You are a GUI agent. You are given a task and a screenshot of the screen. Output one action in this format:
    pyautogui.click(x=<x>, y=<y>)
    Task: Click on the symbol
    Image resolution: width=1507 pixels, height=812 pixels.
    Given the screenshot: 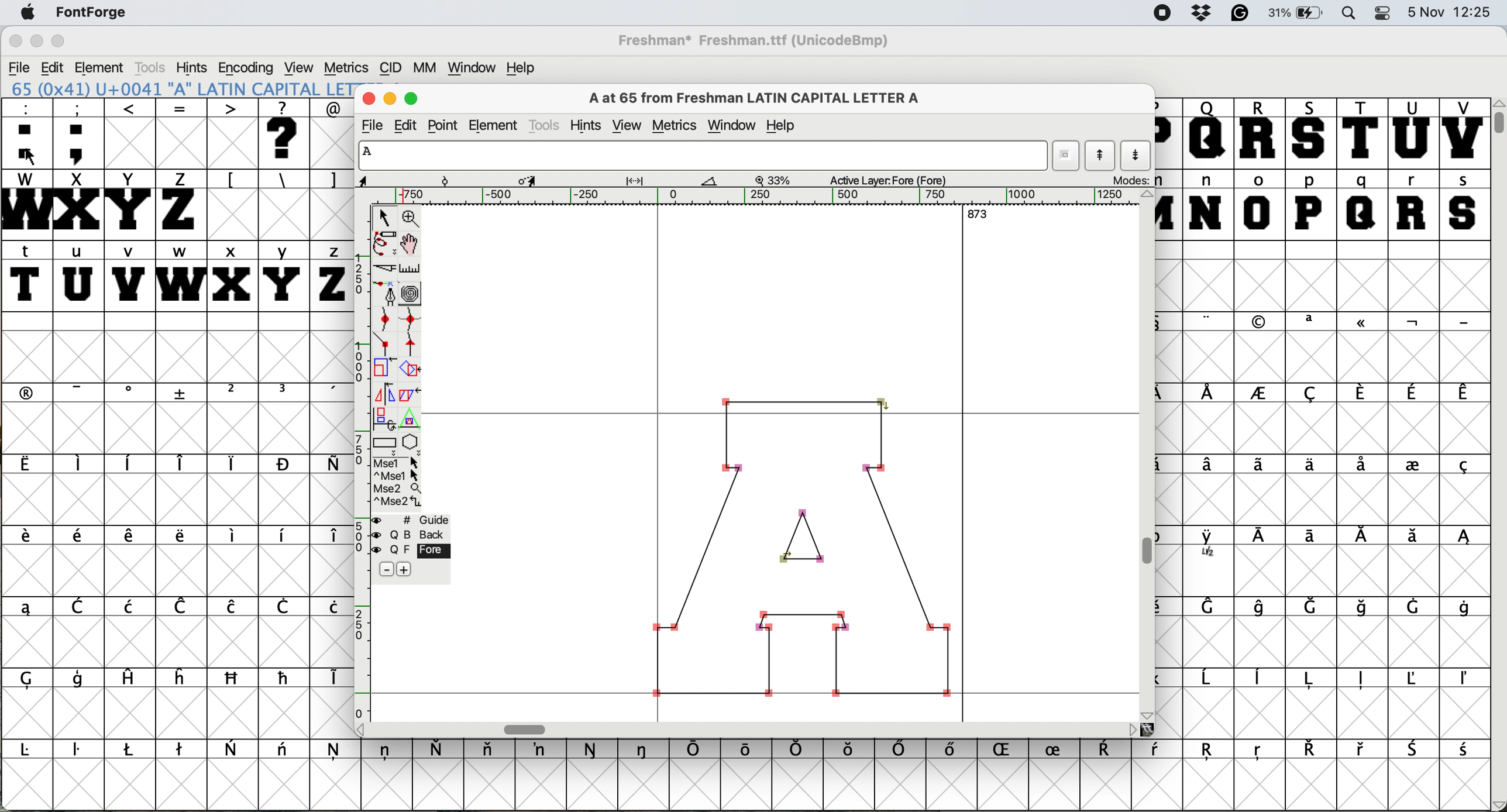 What is the action you would take?
    pyautogui.click(x=543, y=749)
    